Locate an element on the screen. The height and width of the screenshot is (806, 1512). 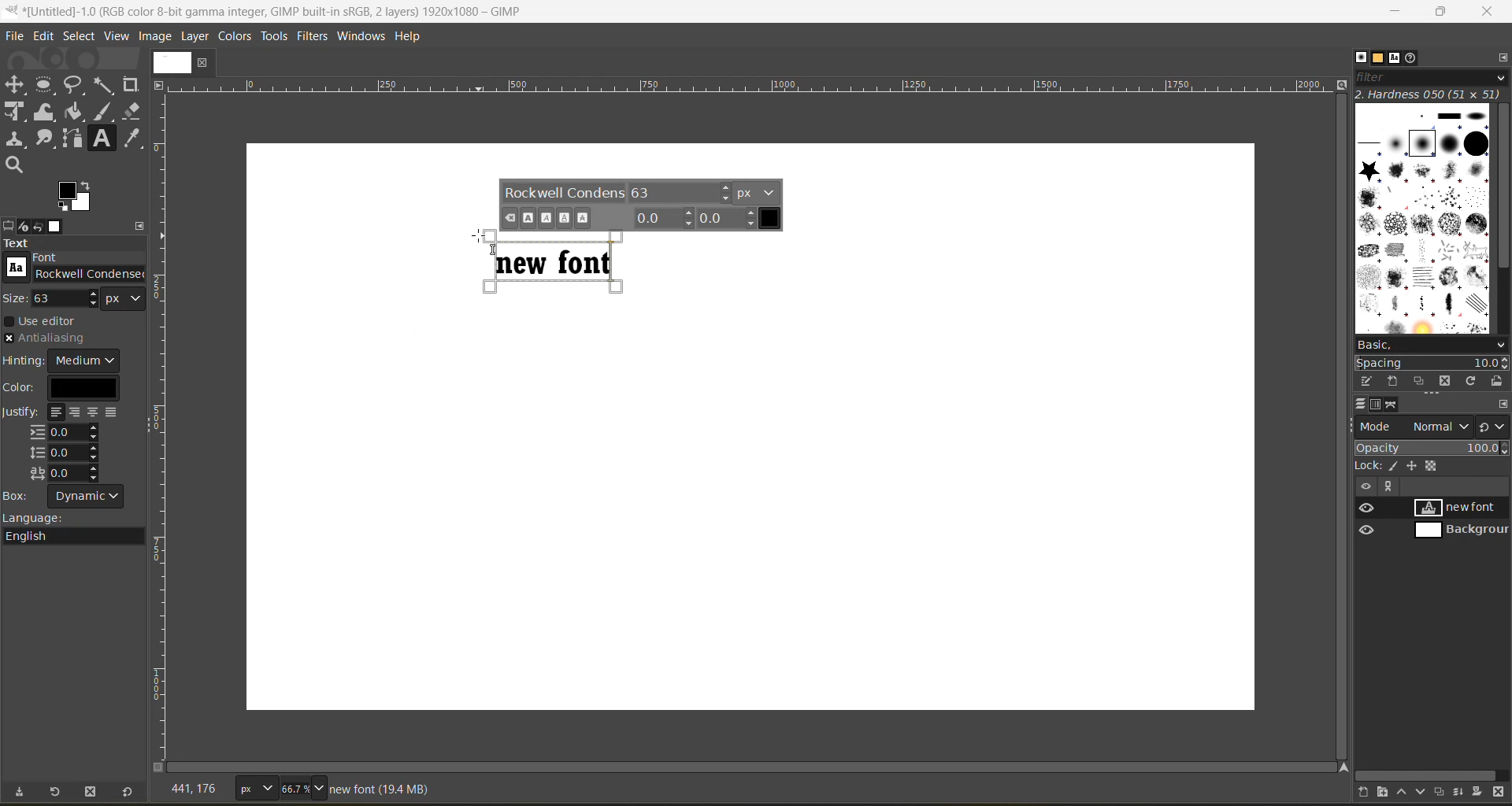
background is located at coordinates (1464, 531).